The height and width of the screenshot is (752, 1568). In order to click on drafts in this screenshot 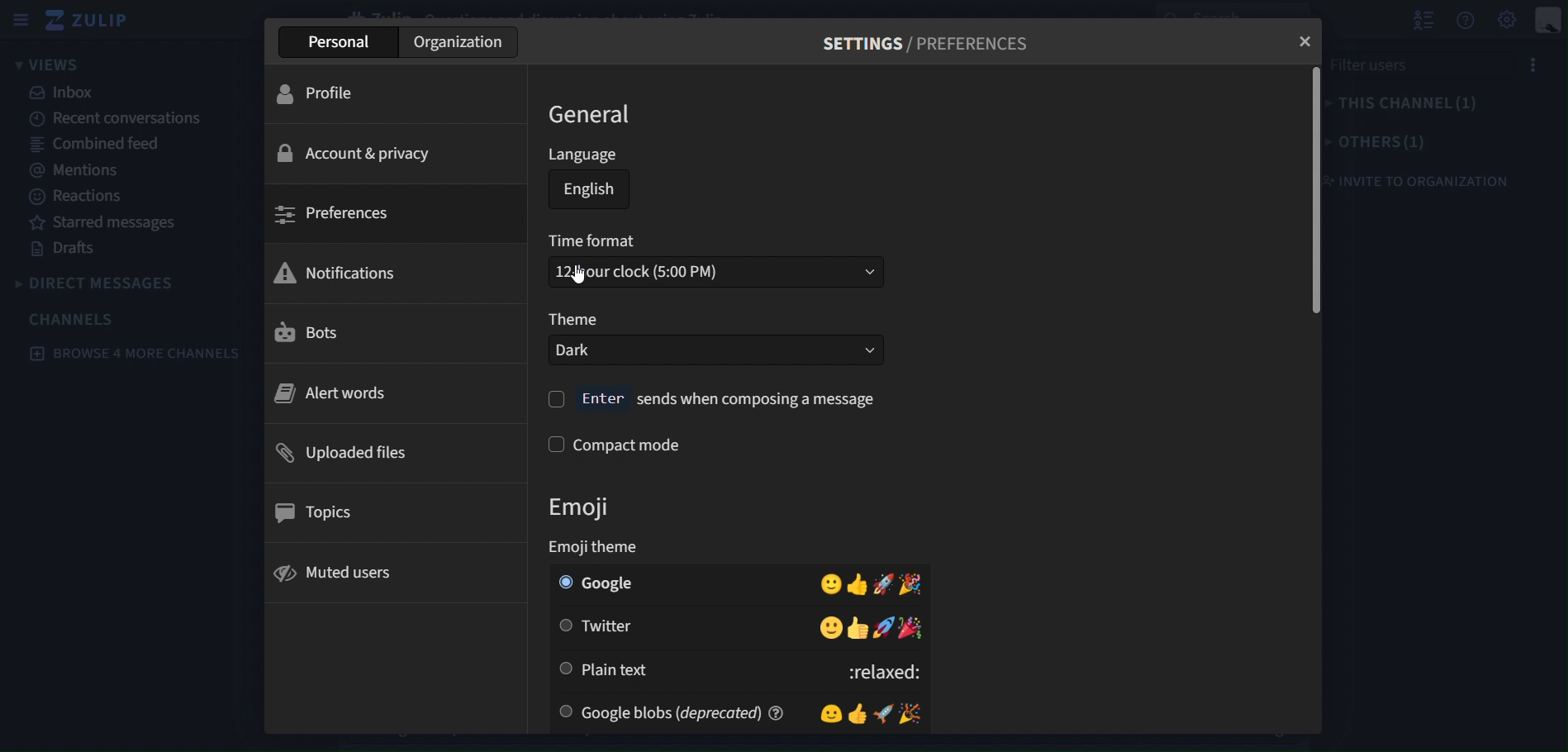, I will do `click(72, 250)`.